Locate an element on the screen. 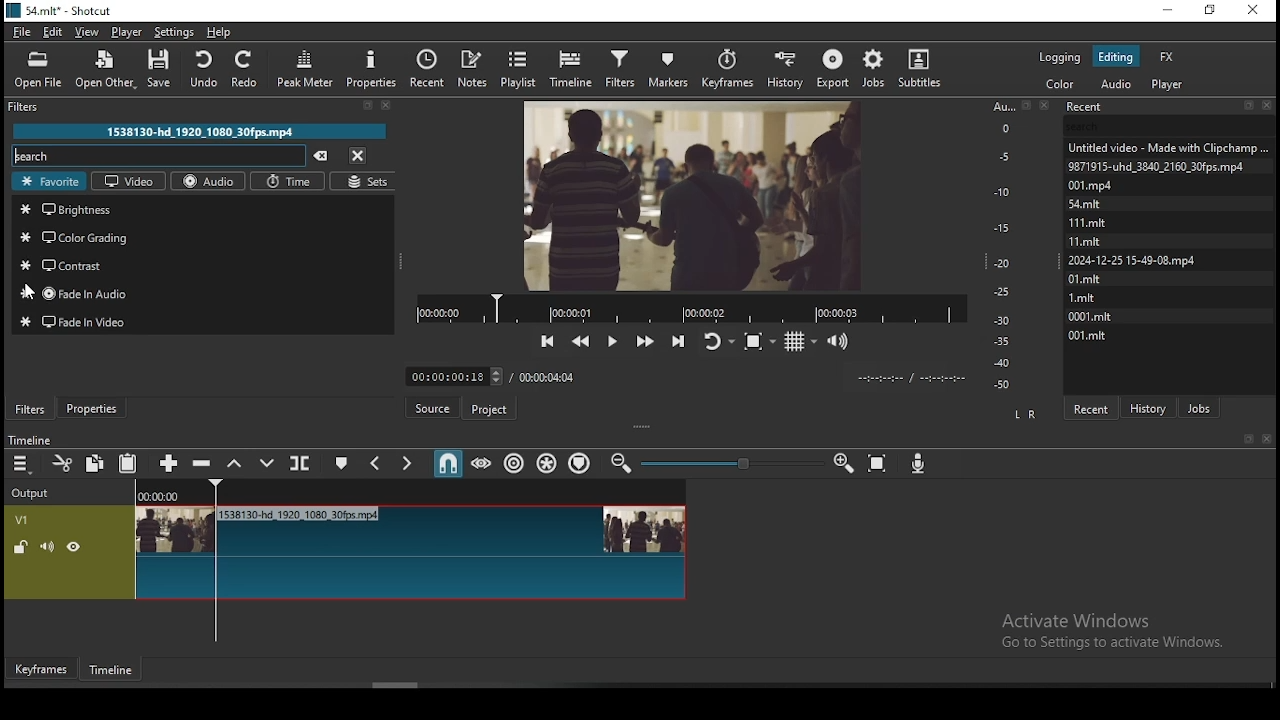  color grading is located at coordinates (205, 237).